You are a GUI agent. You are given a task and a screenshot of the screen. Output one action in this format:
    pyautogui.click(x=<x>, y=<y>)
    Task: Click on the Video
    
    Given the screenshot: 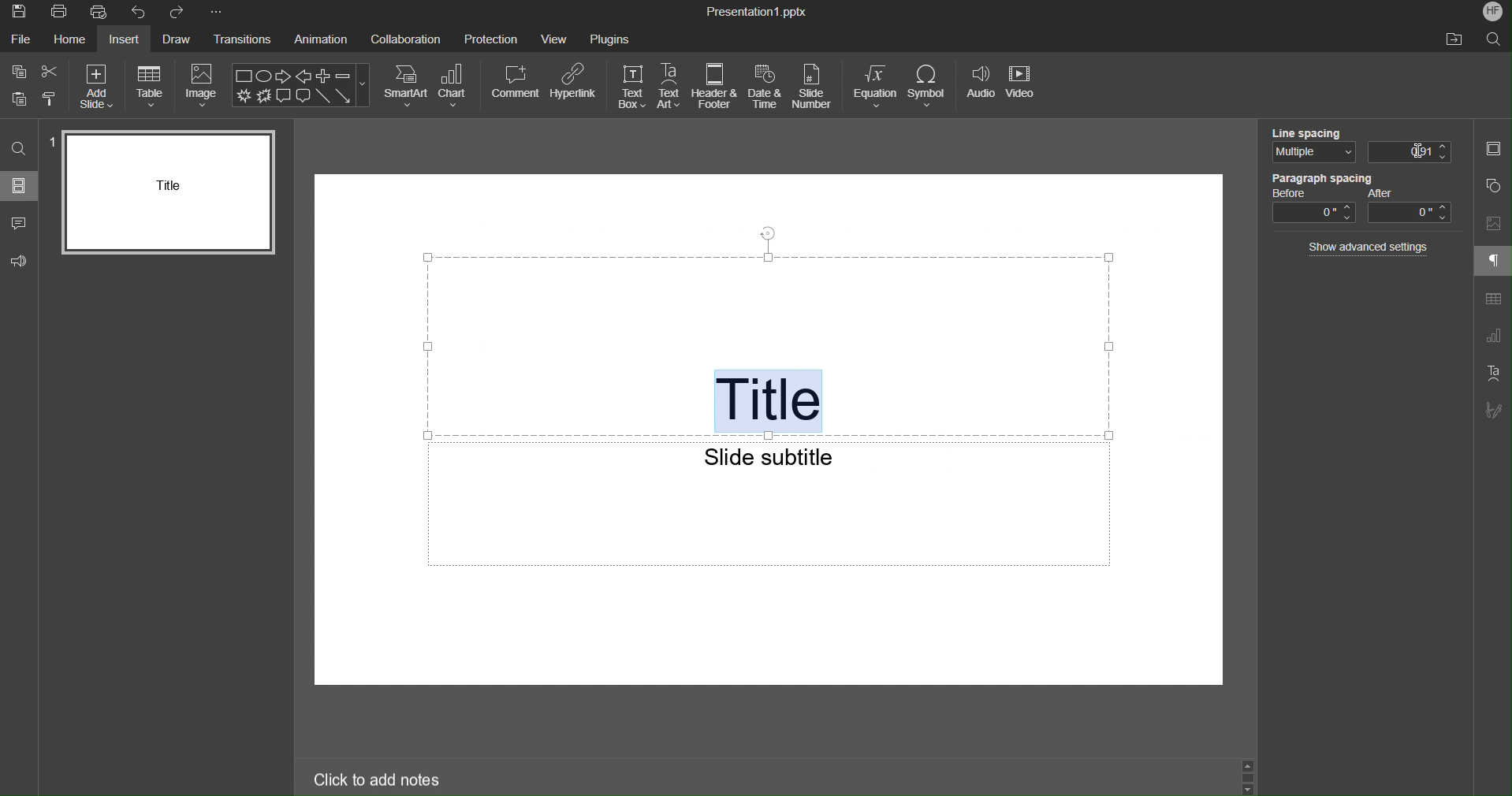 What is the action you would take?
    pyautogui.click(x=1026, y=88)
    